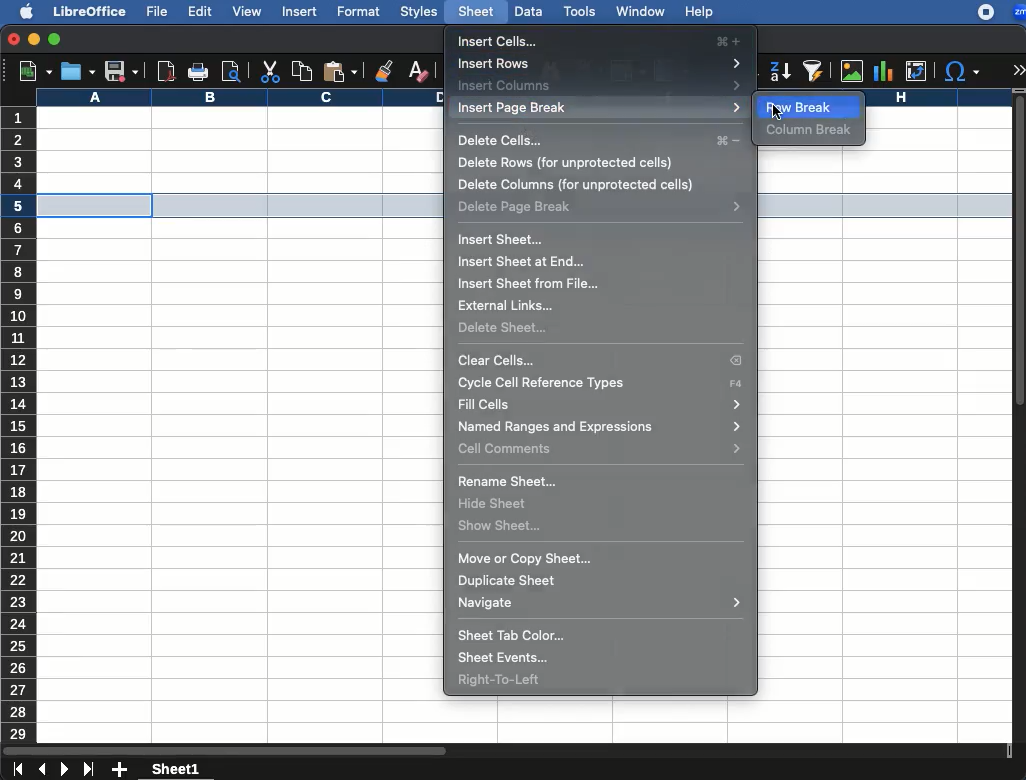 The height and width of the screenshot is (780, 1026). Describe the element at coordinates (581, 11) in the screenshot. I see `tools` at that location.